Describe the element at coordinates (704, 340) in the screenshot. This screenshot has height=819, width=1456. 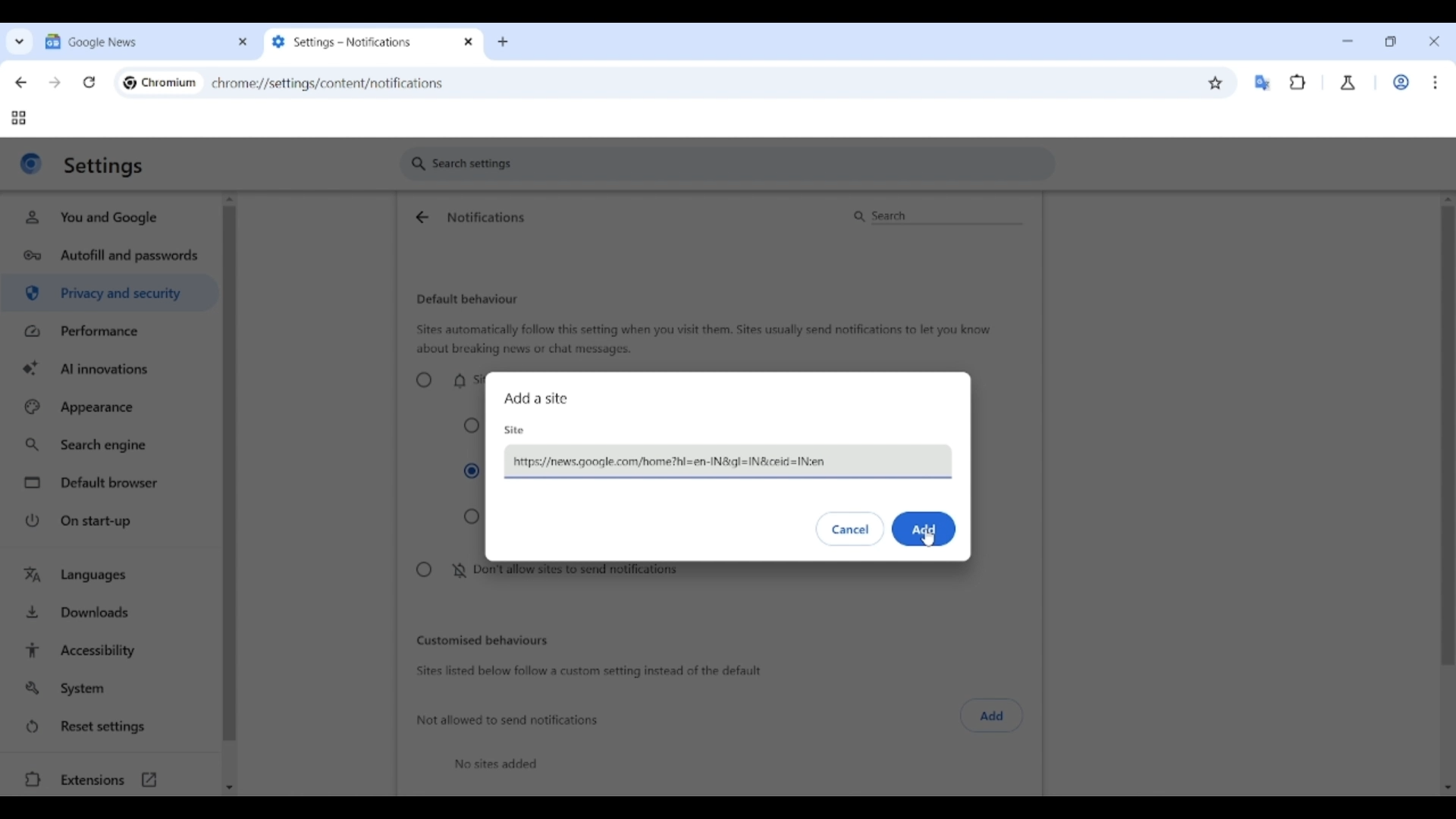
I see `Sites automatically follow this setting when you visit them. Sites usually send notifications to let you know
about breaking news or chat messages.` at that location.